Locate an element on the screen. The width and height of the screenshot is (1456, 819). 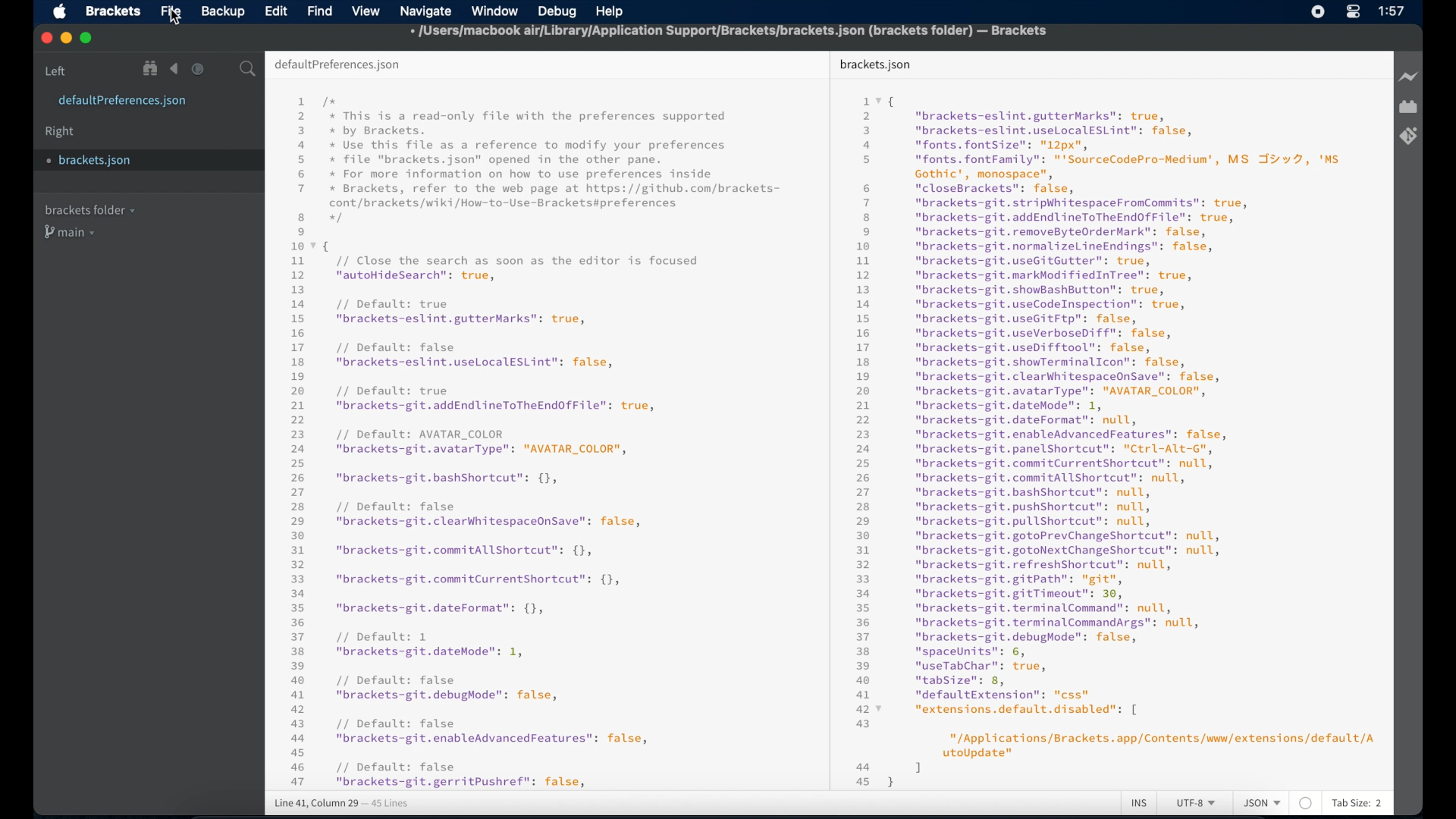
search icon is located at coordinates (250, 70).